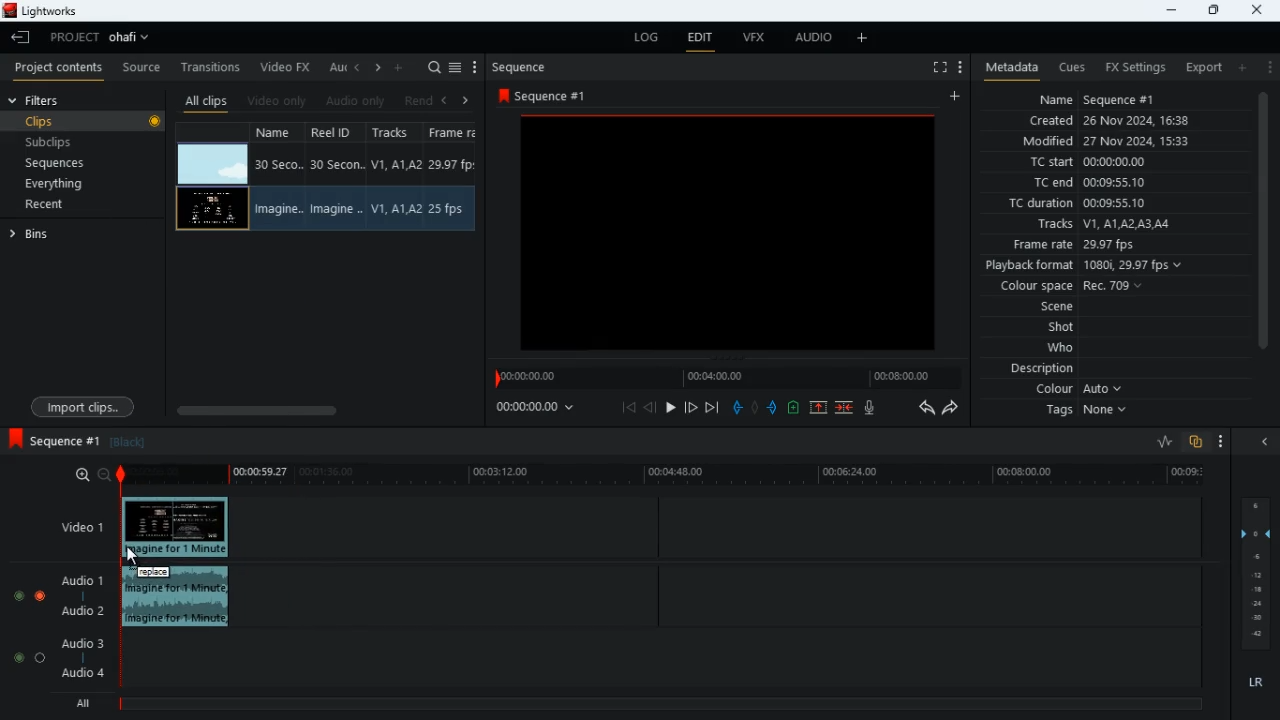  I want to click on everything, so click(76, 183).